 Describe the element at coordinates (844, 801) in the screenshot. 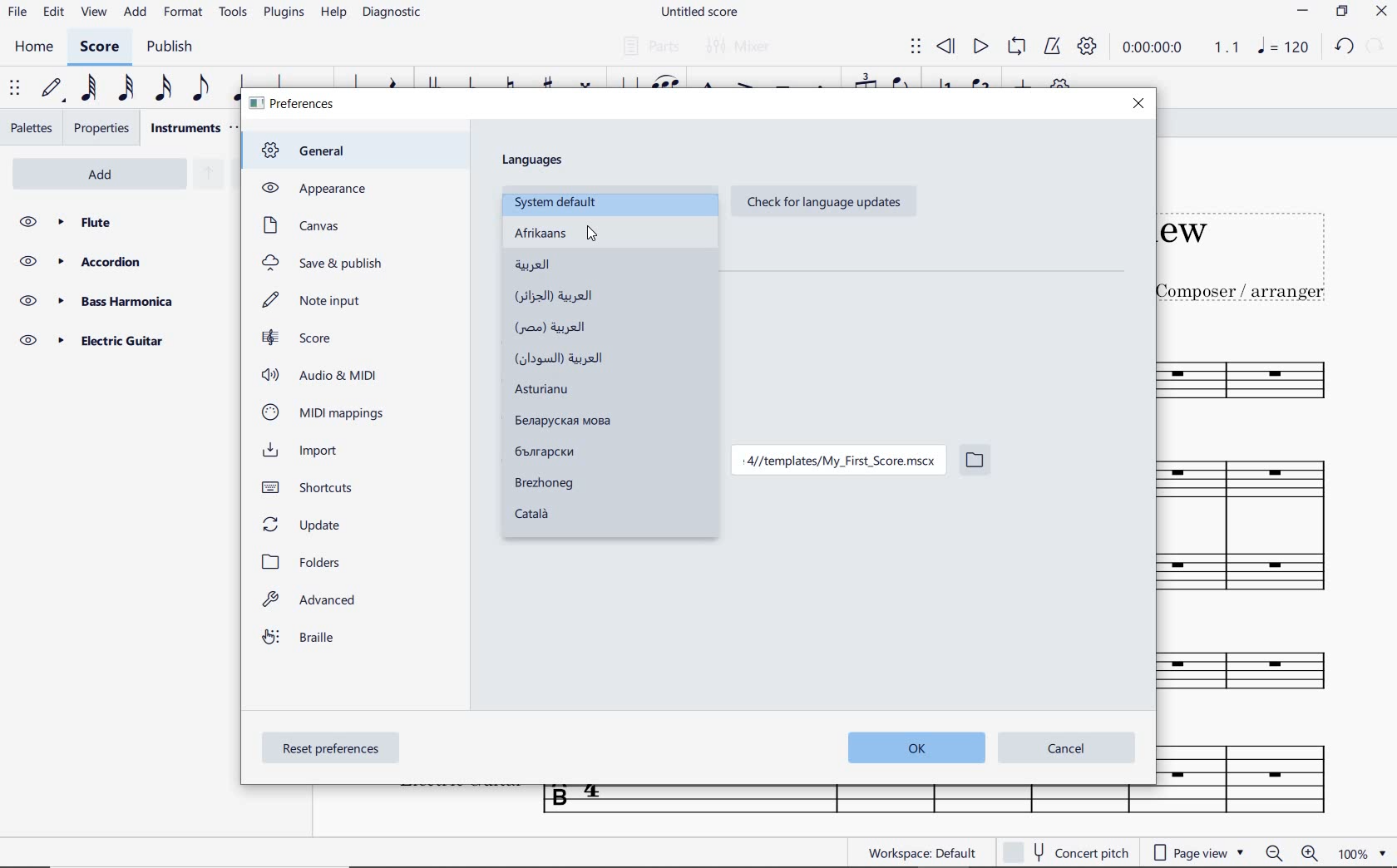

I see `Instrument: Electric guitar` at that location.